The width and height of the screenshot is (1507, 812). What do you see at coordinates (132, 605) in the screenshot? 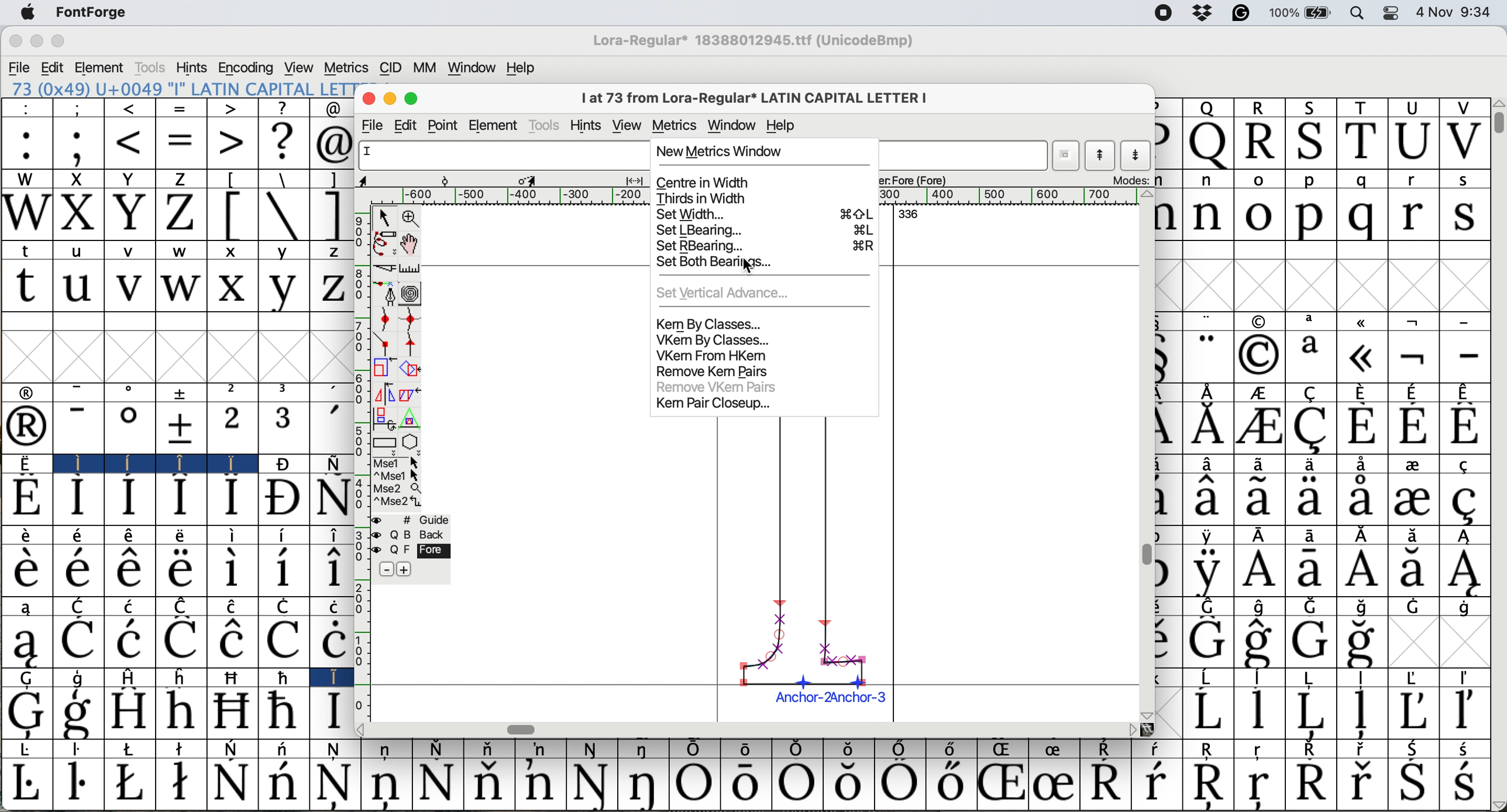
I see `Symbol` at bounding box center [132, 605].